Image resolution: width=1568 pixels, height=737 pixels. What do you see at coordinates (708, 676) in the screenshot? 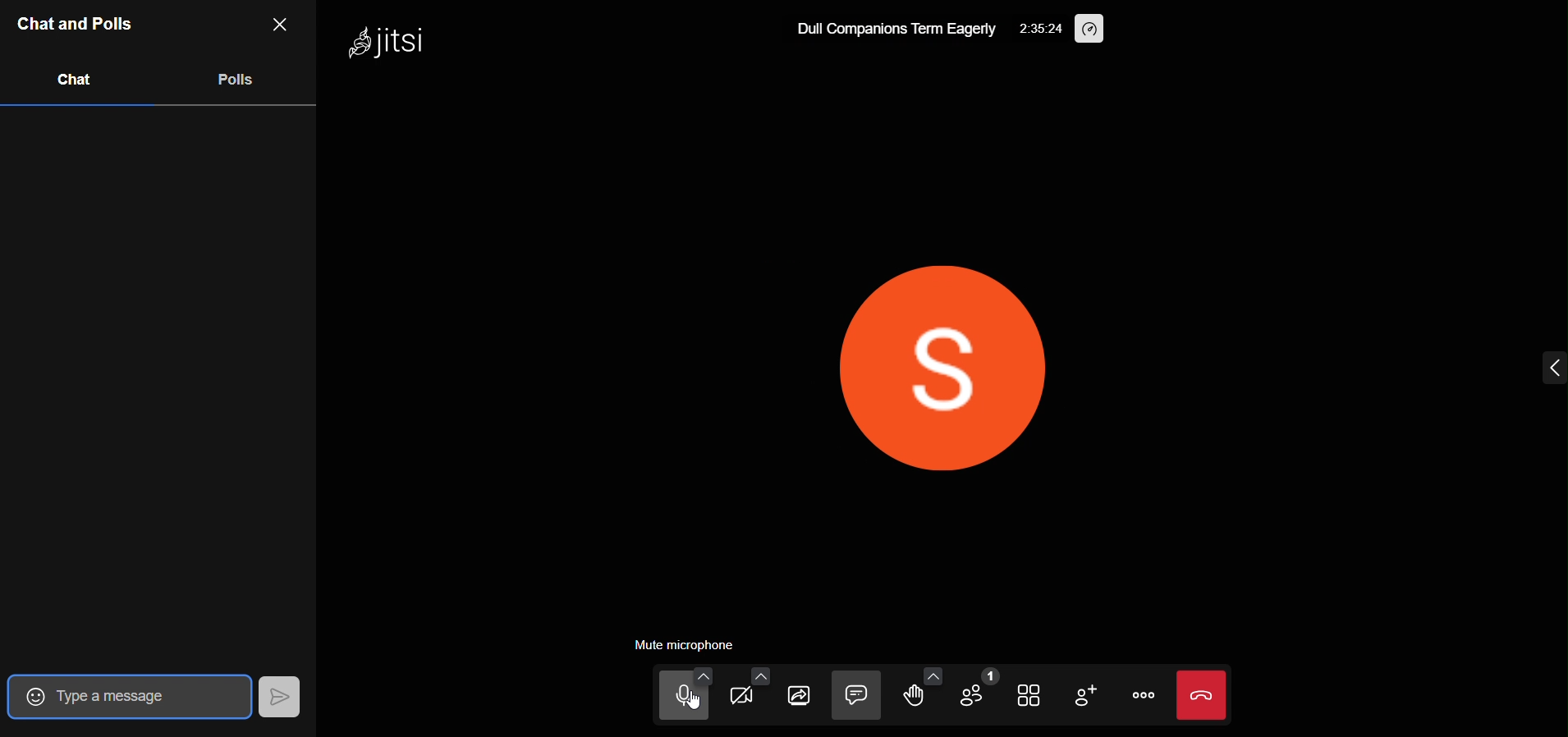
I see `audio setting` at bounding box center [708, 676].